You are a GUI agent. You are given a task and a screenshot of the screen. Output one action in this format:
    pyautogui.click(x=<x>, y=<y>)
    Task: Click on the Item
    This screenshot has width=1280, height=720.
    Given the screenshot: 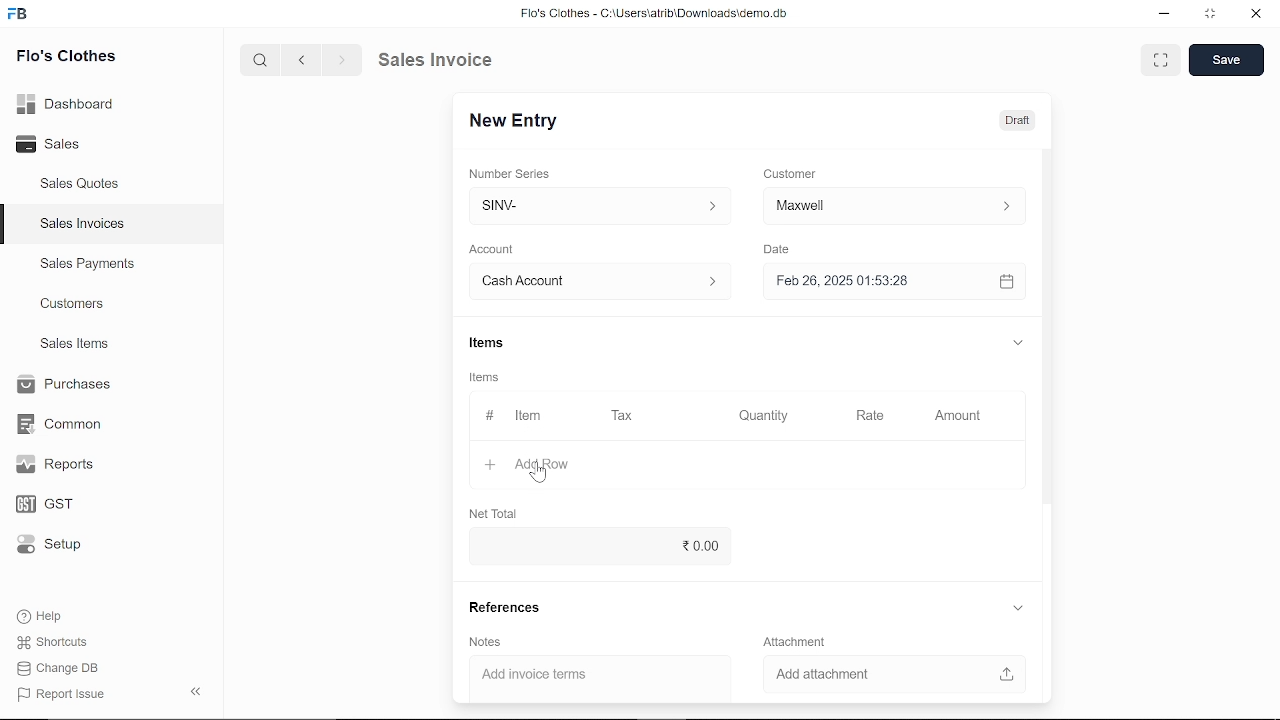 What is the action you would take?
    pyautogui.click(x=517, y=417)
    